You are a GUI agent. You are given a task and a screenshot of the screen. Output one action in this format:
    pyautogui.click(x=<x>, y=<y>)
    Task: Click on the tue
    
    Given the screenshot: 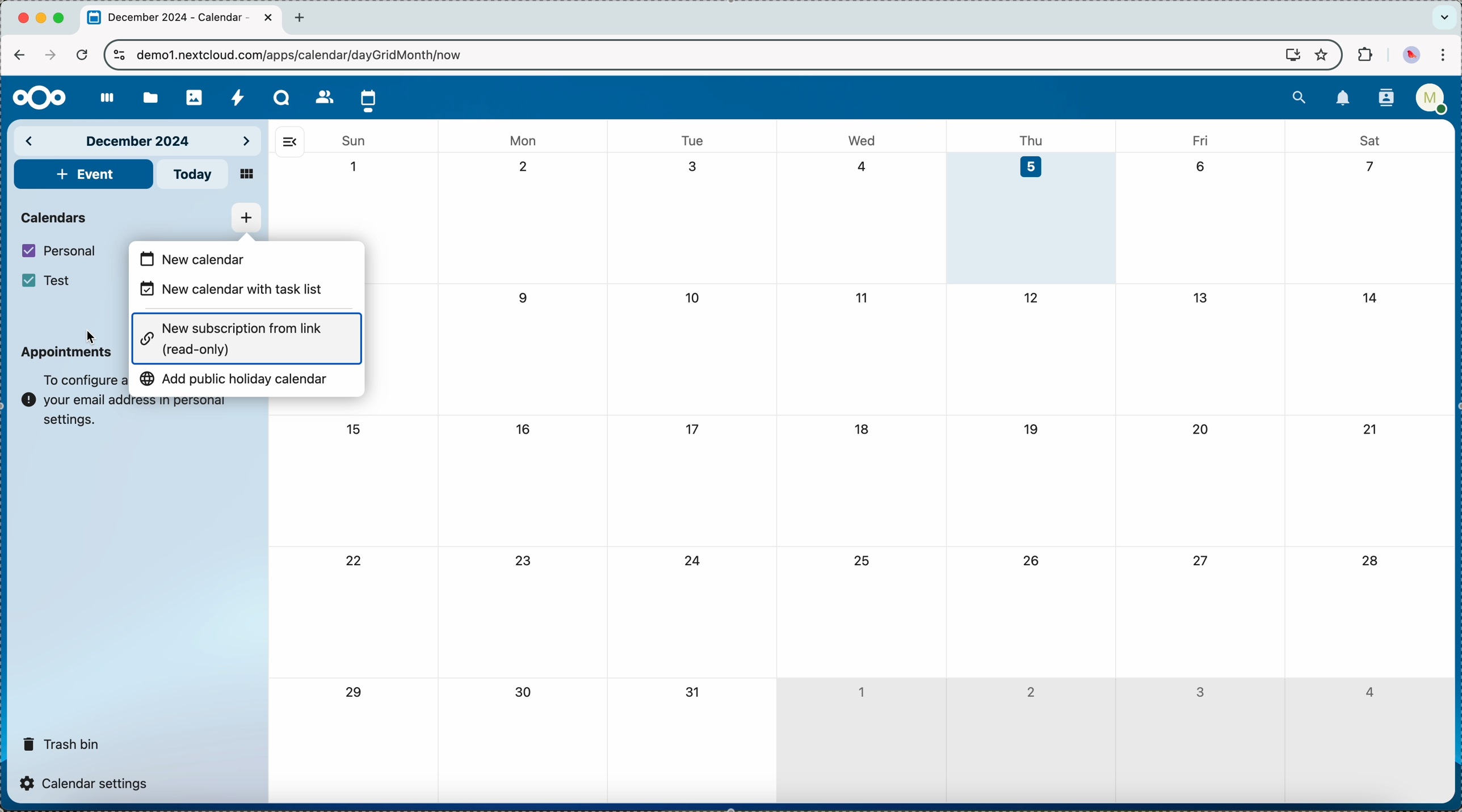 What is the action you would take?
    pyautogui.click(x=692, y=140)
    